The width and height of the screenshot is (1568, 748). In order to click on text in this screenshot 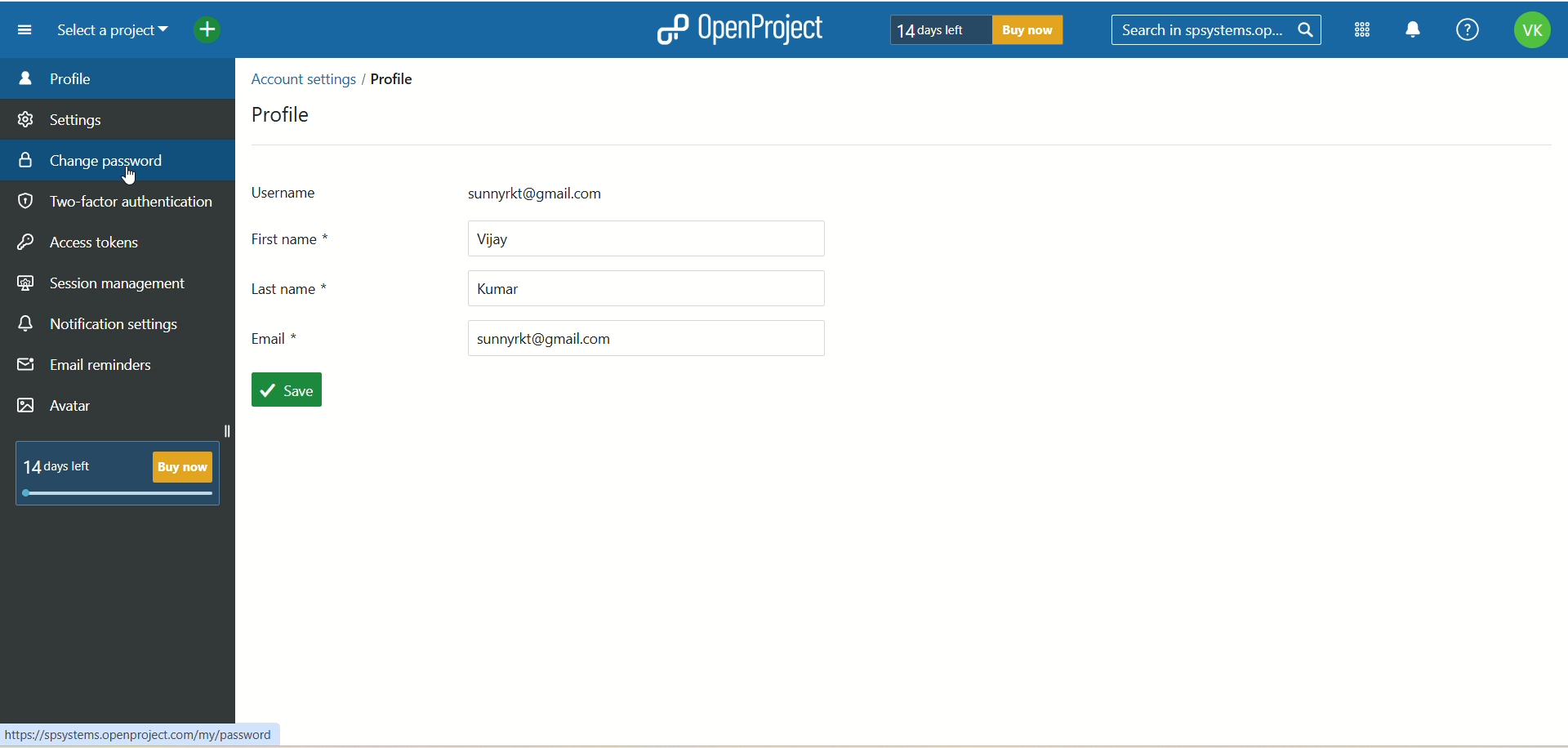, I will do `click(971, 29)`.